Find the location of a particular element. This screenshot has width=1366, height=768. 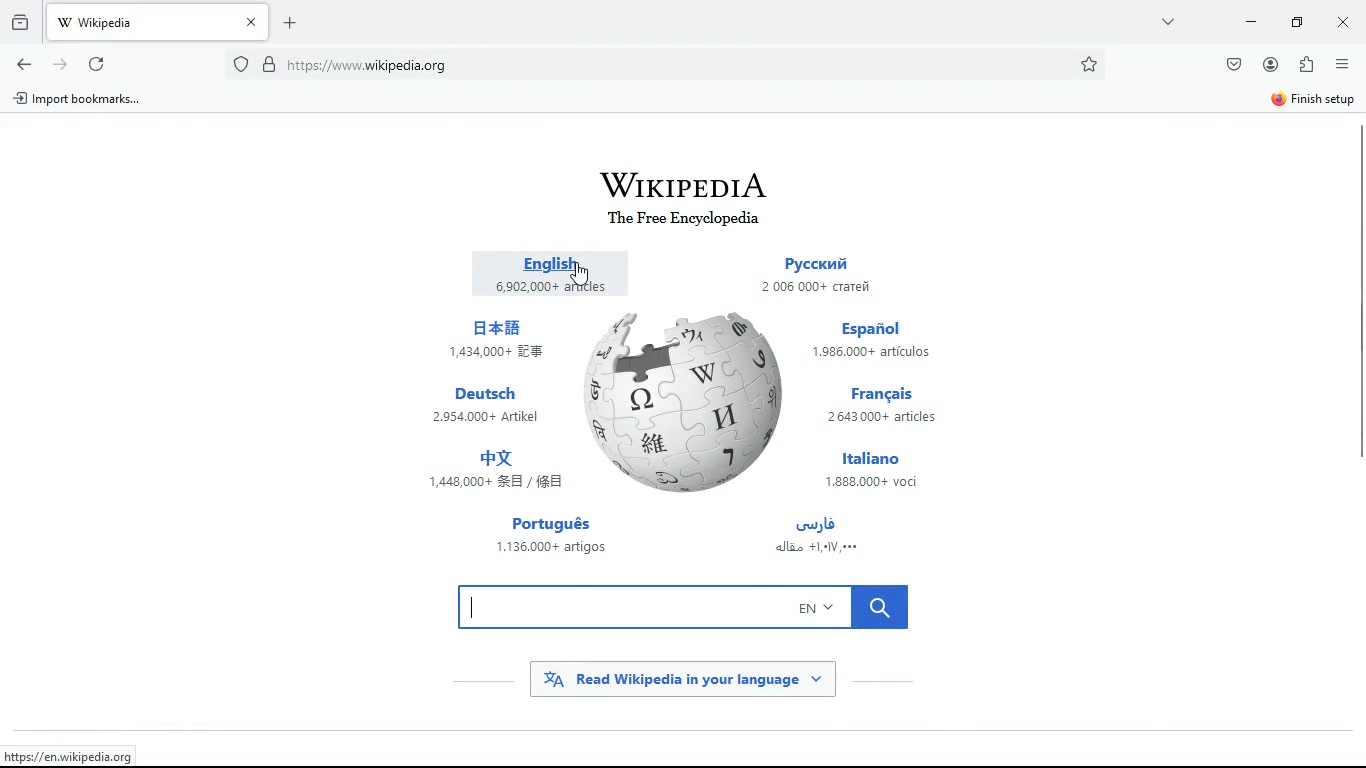

import bookmarks... is located at coordinates (83, 99).